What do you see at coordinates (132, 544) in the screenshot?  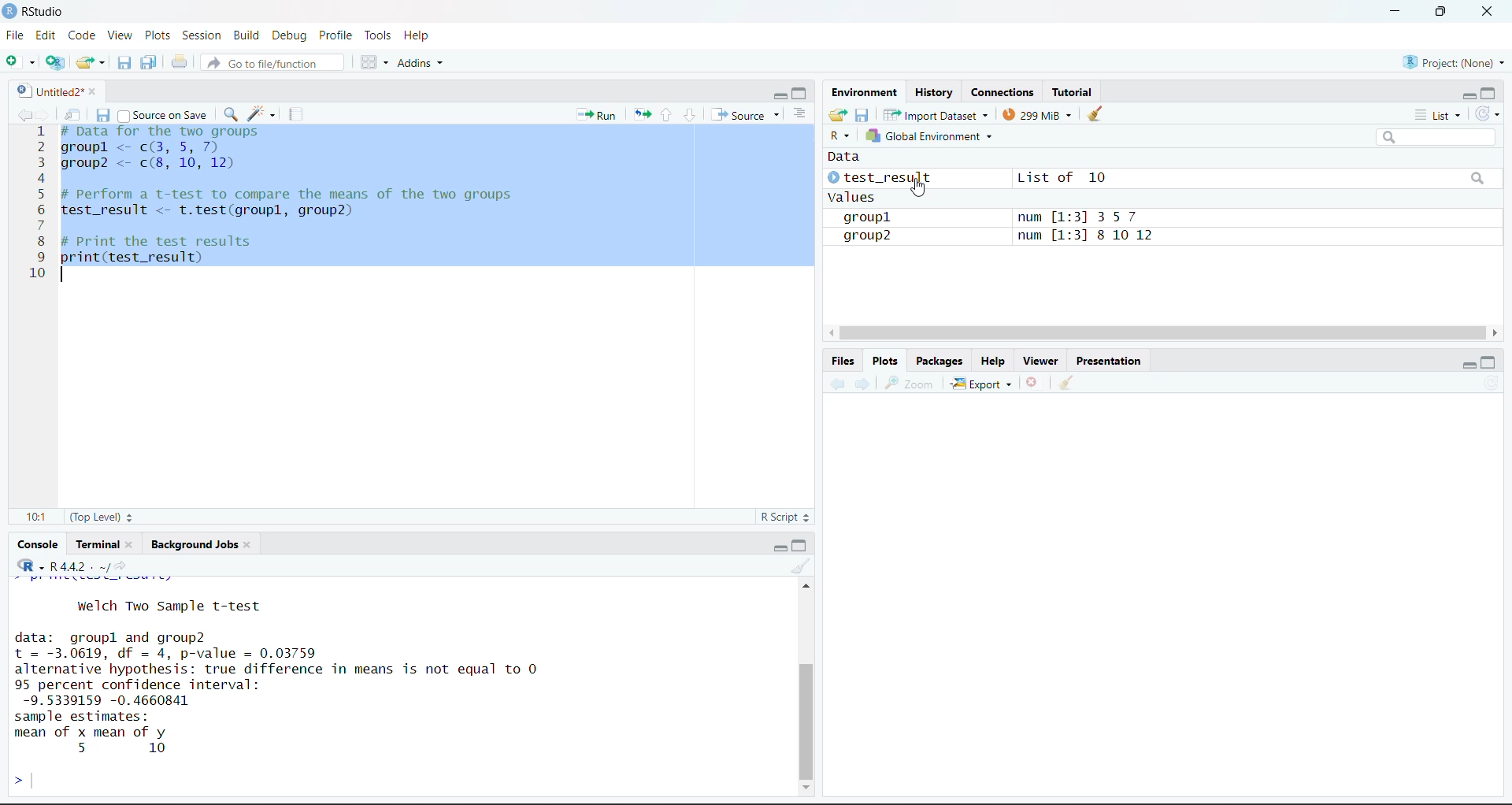 I see `close` at bounding box center [132, 544].